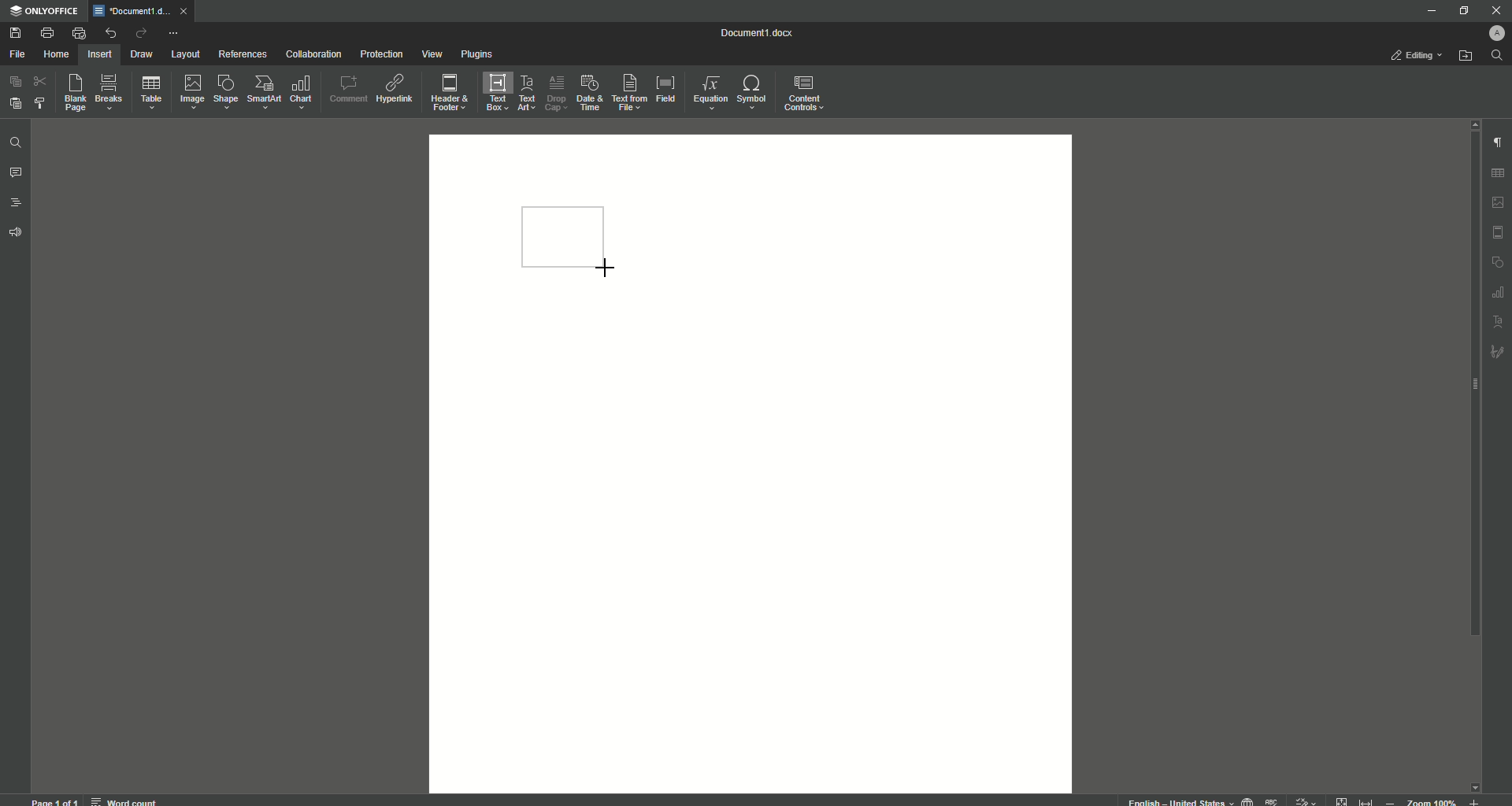 The image size is (1512, 806). What do you see at coordinates (1462, 11) in the screenshot?
I see `Restore` at bounding box center [1462, 11].